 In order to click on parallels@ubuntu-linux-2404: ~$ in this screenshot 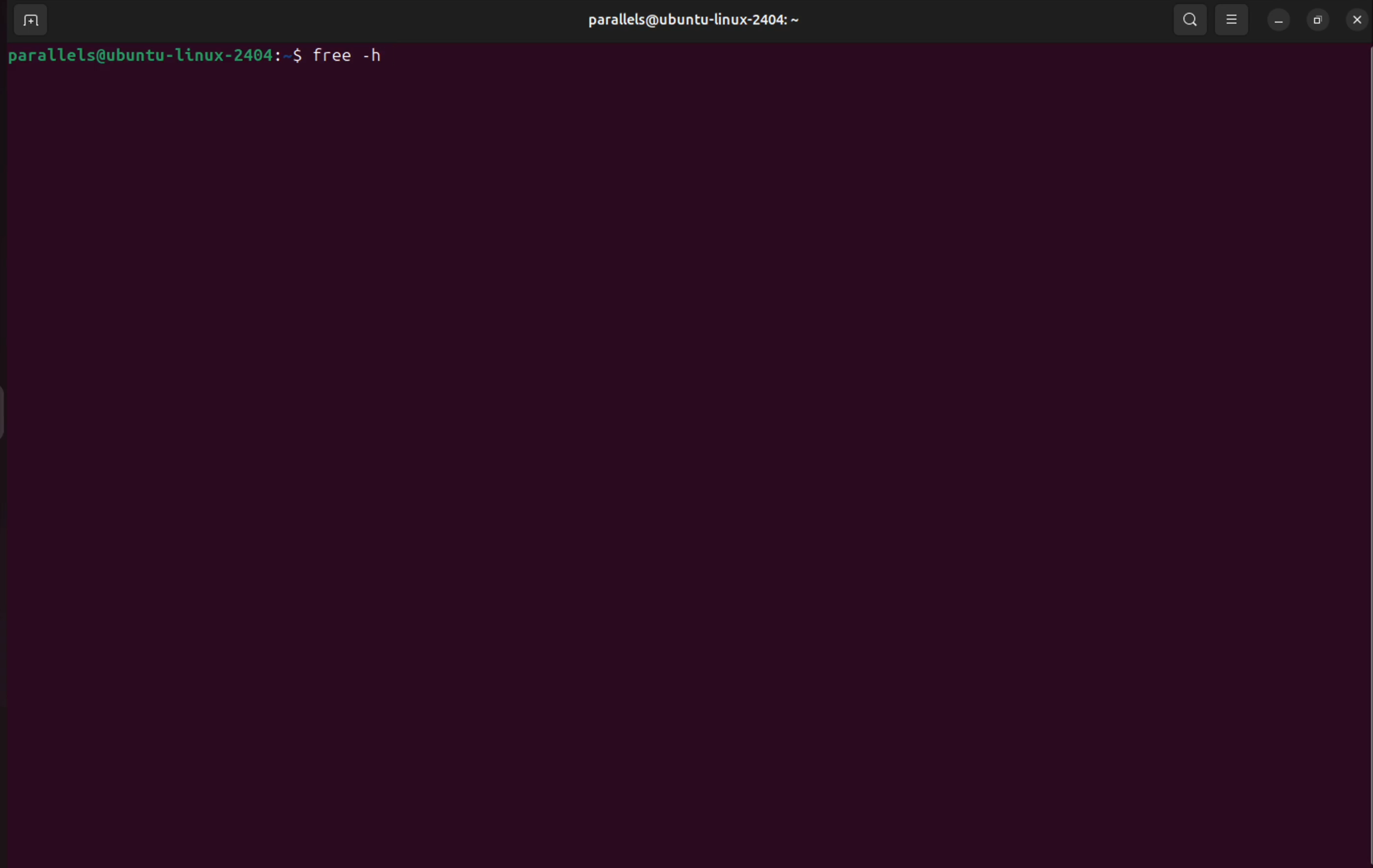, I will do `click(155, 56)`.